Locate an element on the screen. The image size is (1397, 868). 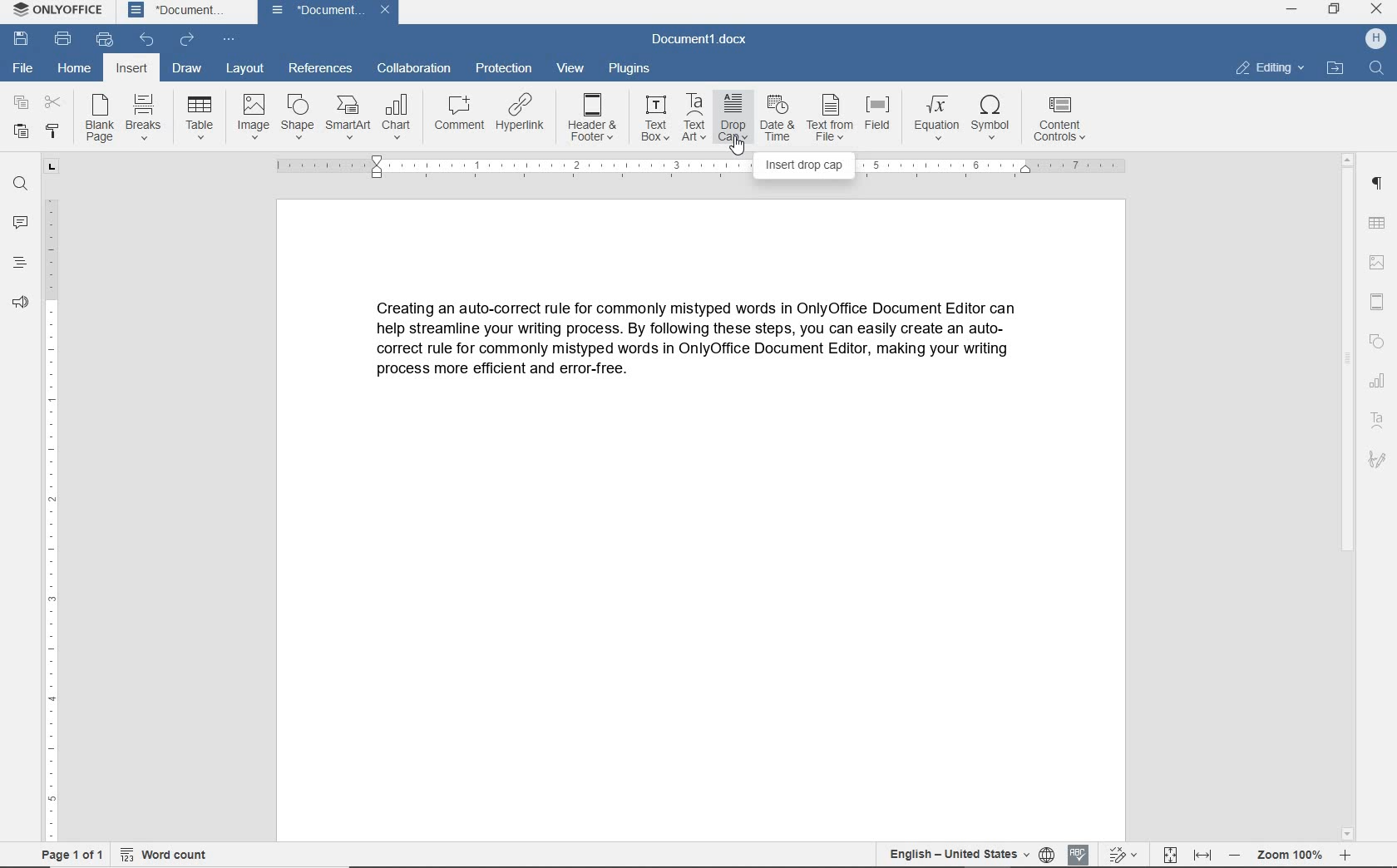
restore down is located at coordinates (1335, 11).